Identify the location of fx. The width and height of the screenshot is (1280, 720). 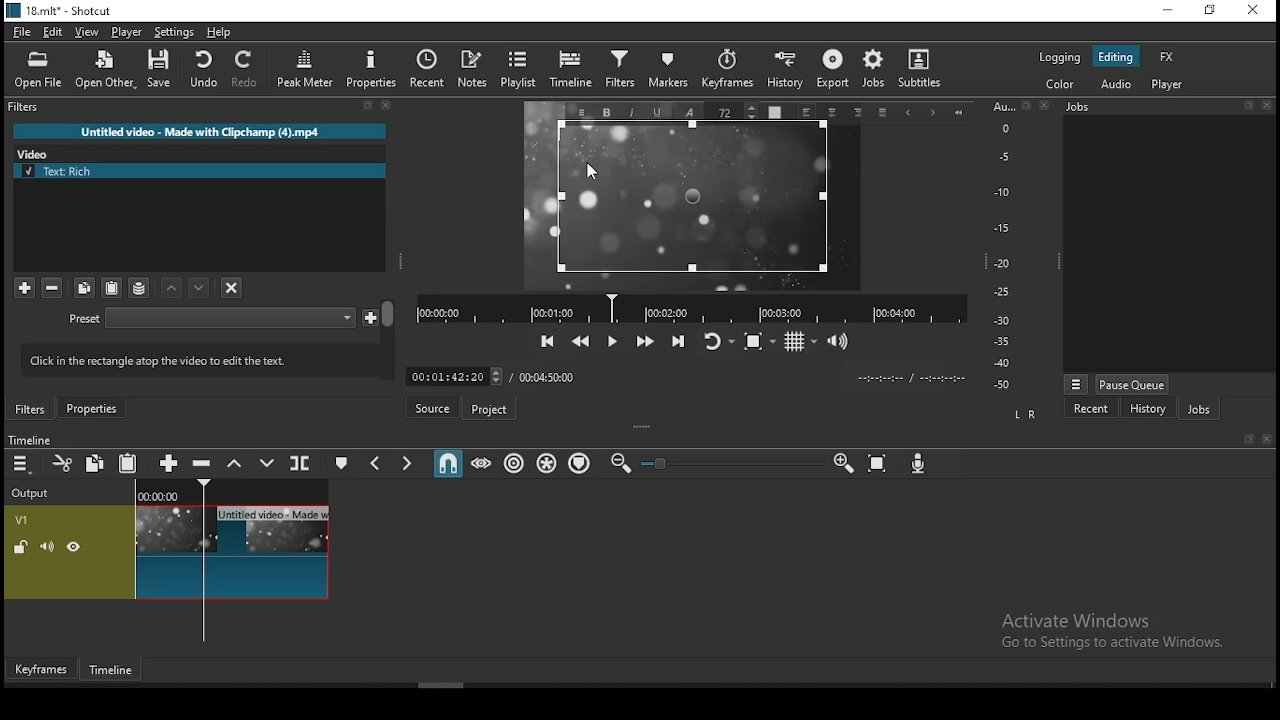
(1168, 56).